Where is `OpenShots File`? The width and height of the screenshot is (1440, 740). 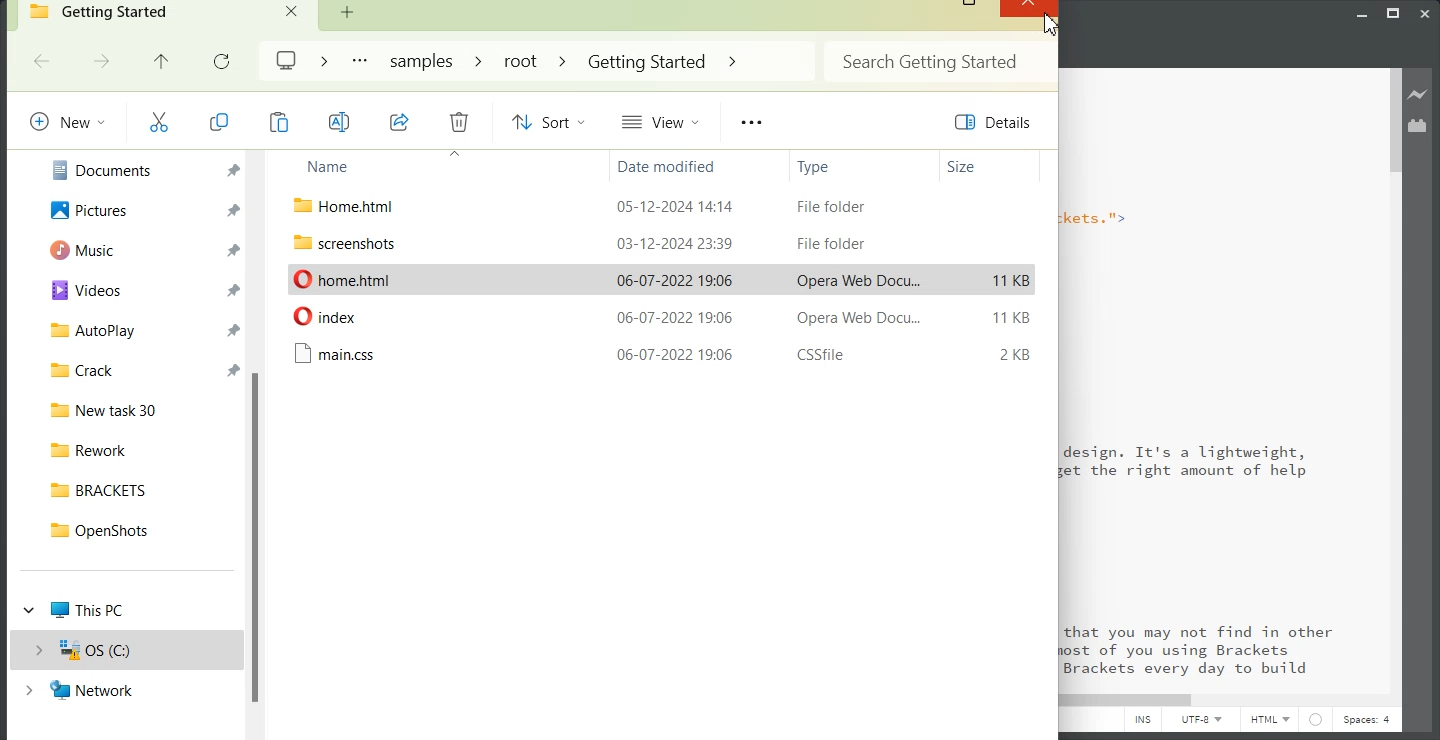 OpenShots File is located at coordinates (139, 530).